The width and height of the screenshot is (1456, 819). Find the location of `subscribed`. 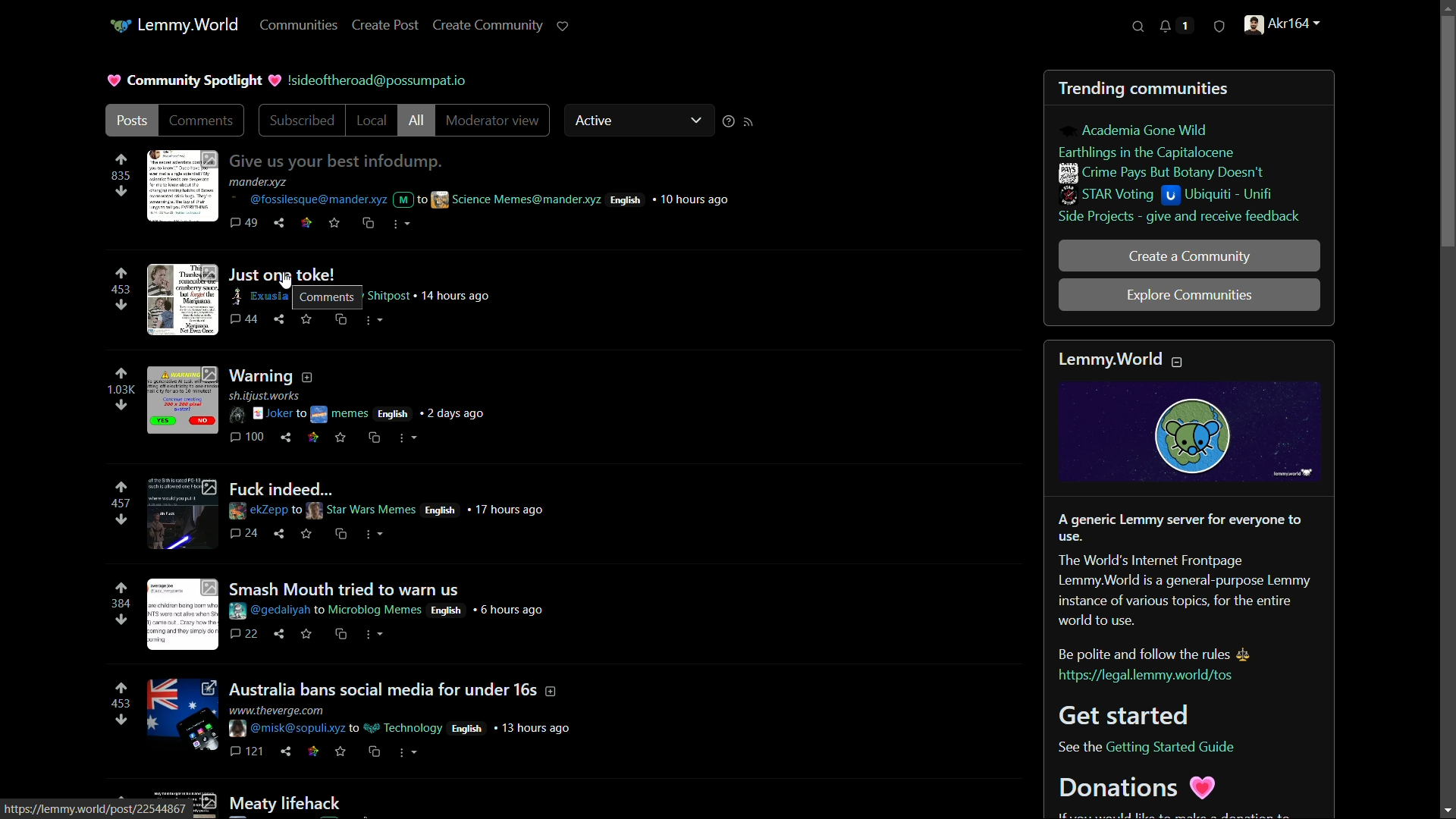

subscribed is located at coordinates (303, 121).